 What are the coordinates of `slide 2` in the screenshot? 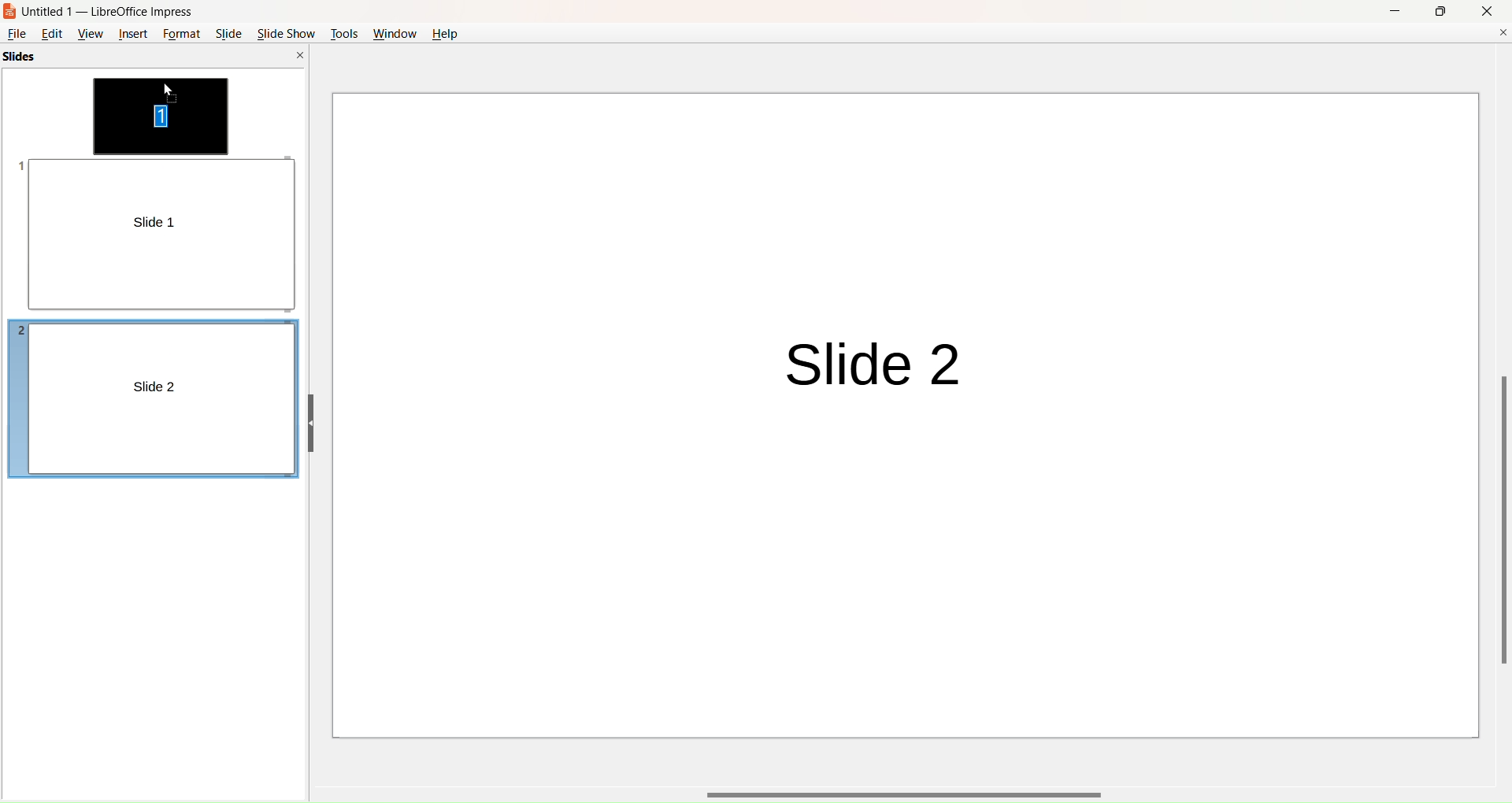 It's located at (156, 387).